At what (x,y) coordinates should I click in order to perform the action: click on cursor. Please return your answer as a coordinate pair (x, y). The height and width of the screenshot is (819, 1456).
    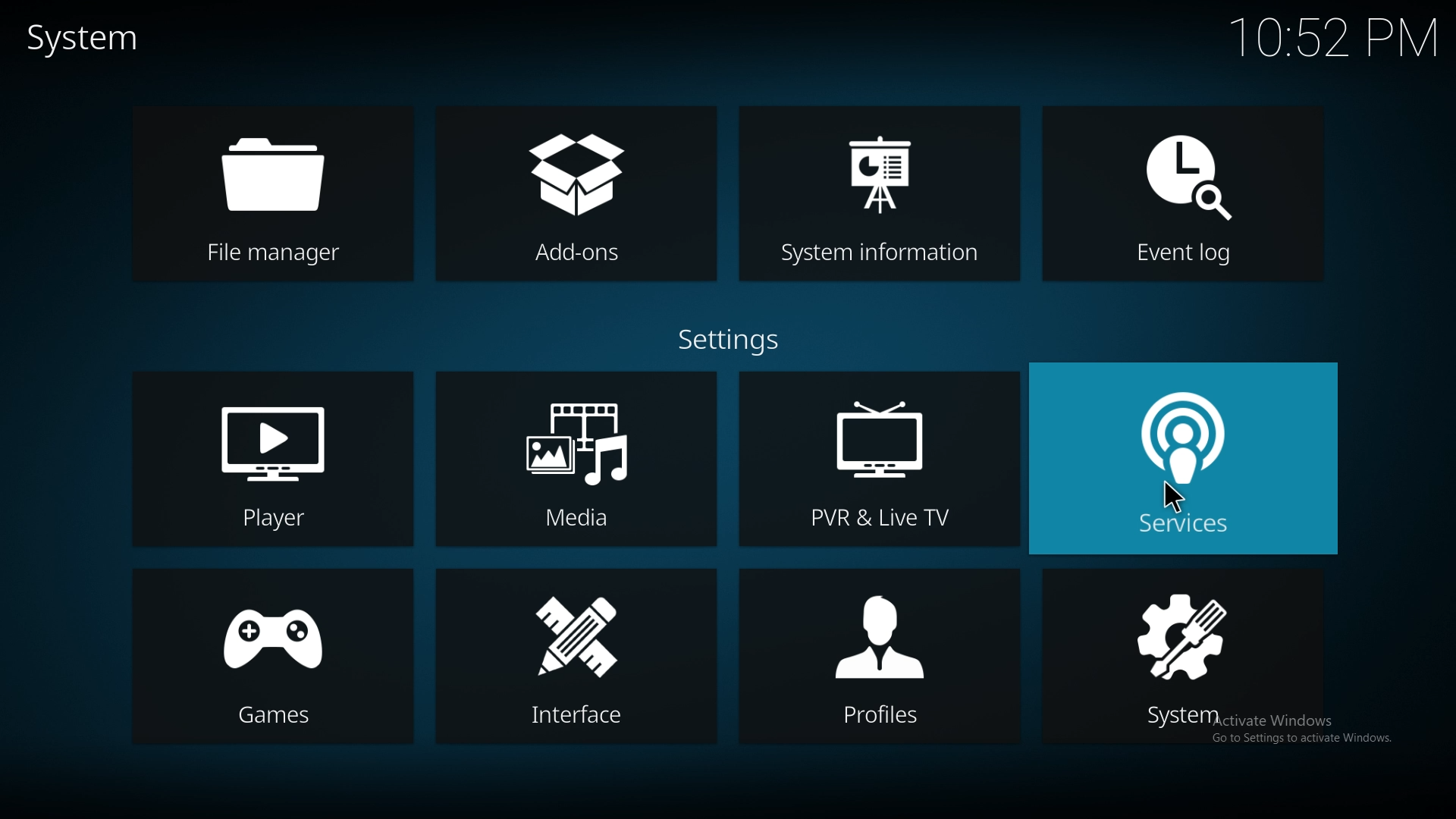
    Looking at the image, I should click on (1171, 497).